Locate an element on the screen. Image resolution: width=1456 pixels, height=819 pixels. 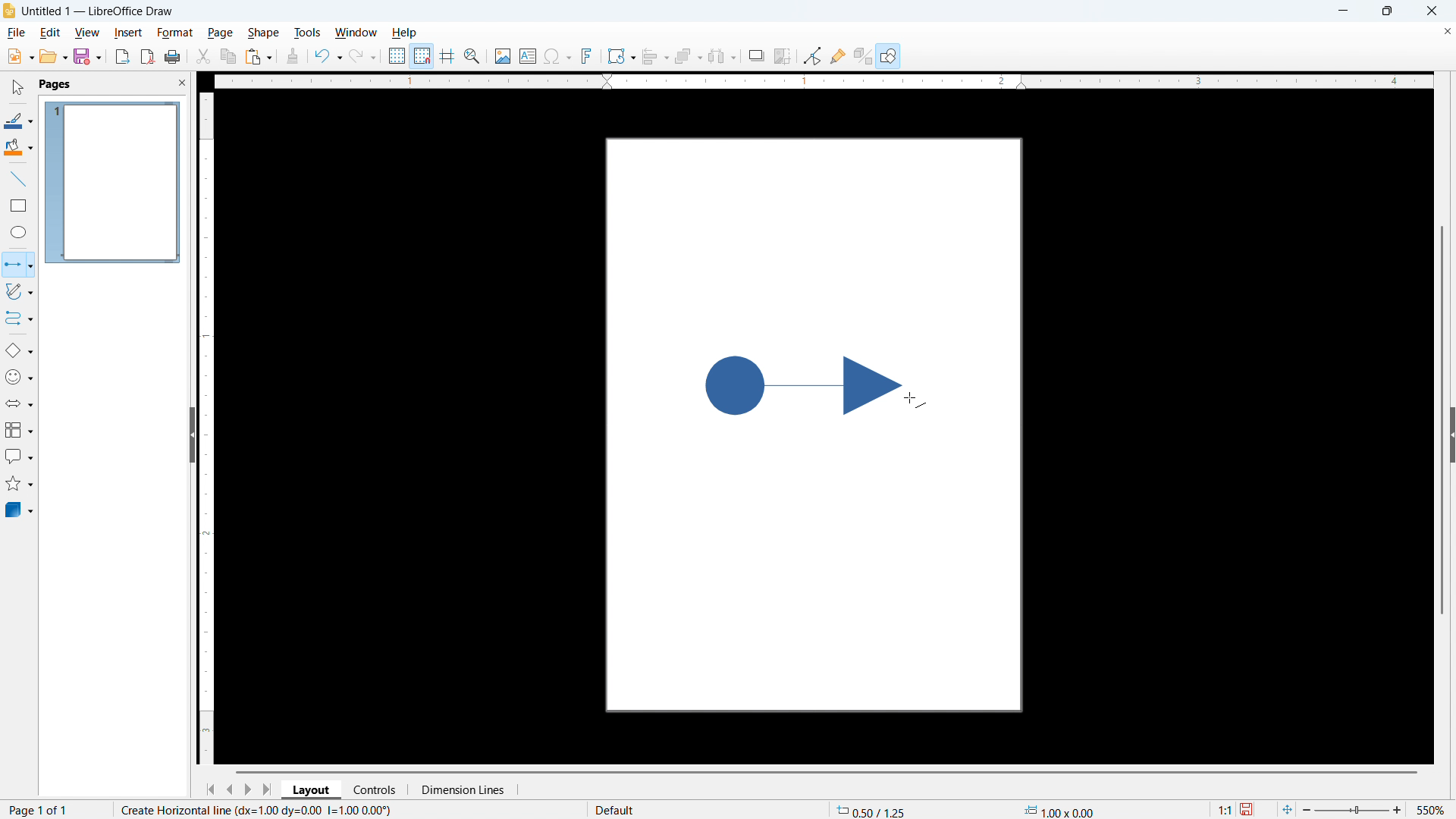
Shape  is located at coordinates (262, 33).